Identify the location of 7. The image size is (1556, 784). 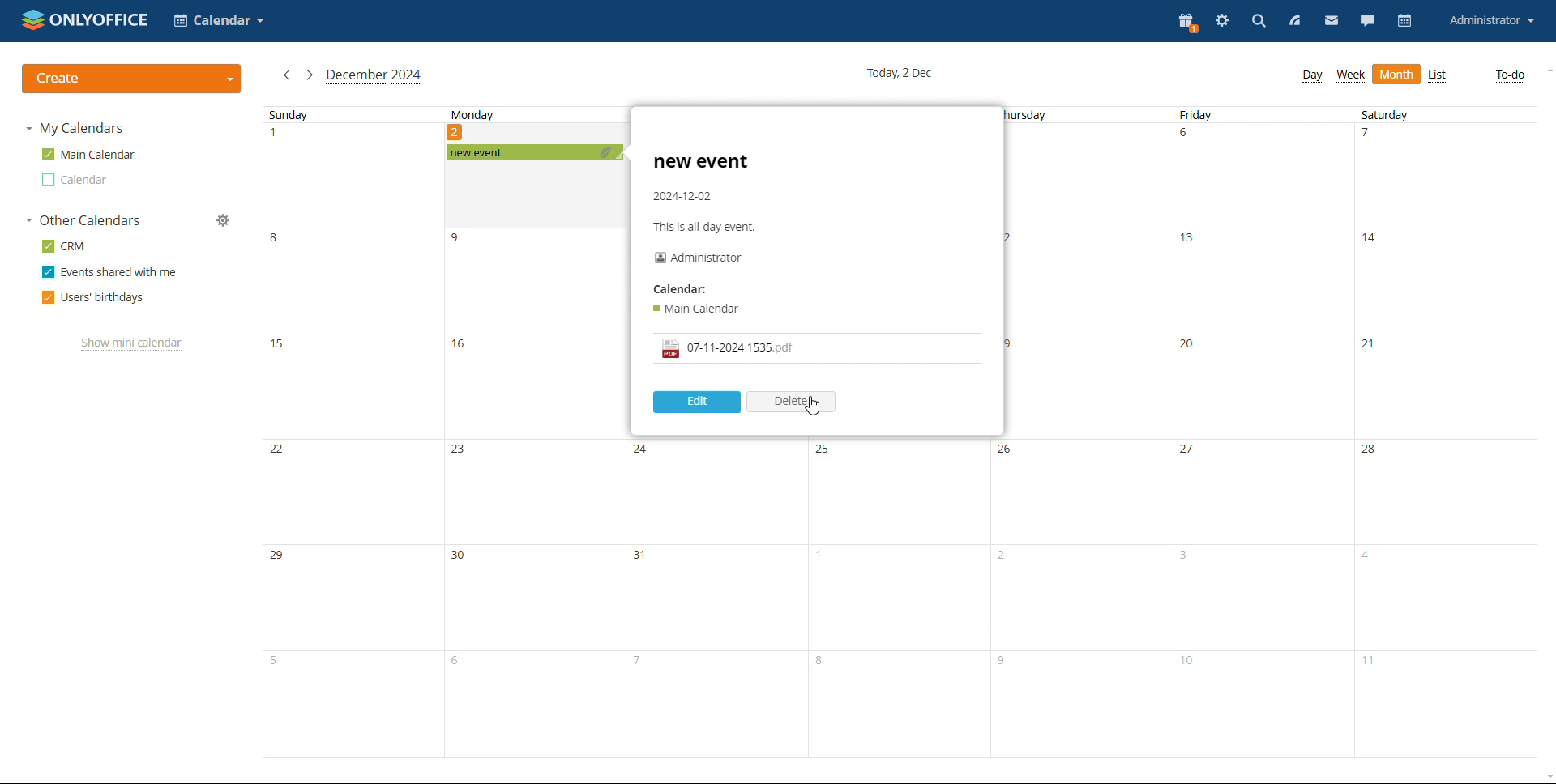
(1374, 137).